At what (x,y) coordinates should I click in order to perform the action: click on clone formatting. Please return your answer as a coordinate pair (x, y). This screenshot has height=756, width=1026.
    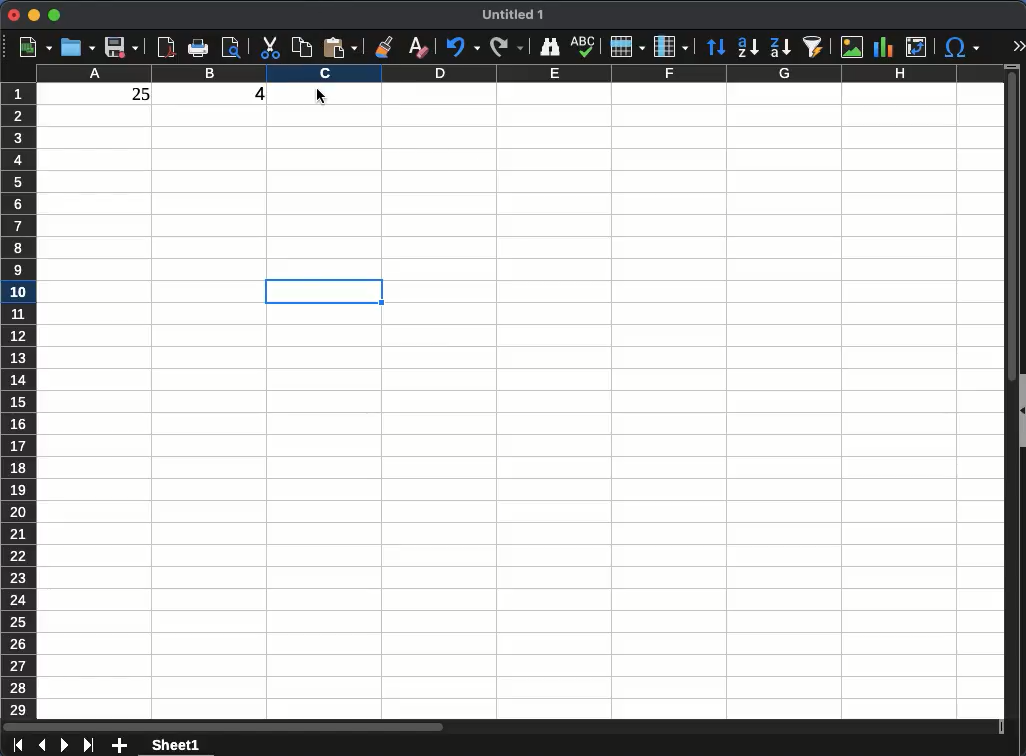
    Looking at the image, I should click on (383, 46).